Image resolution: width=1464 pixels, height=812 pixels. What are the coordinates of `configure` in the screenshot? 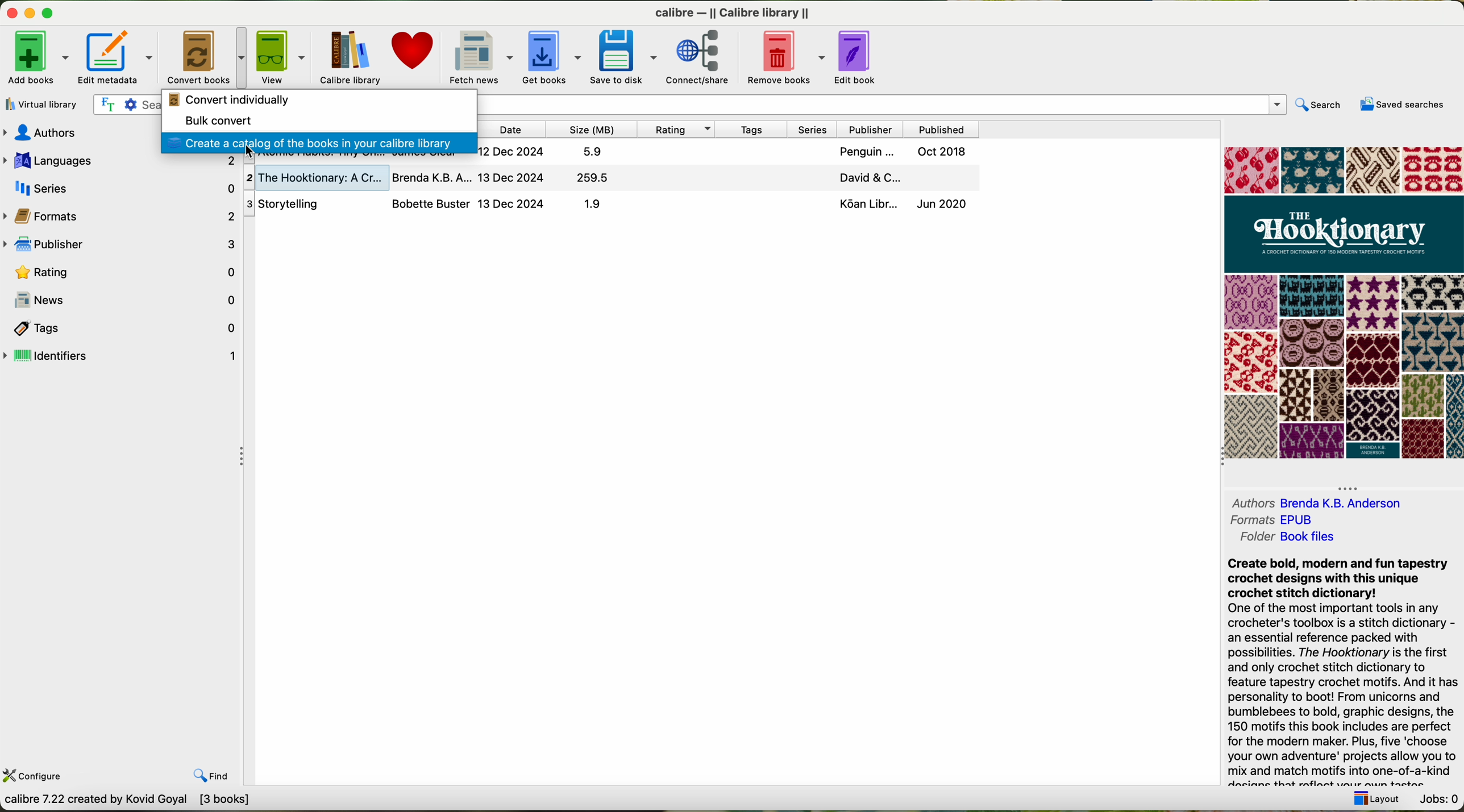 It's located at (36, 778).